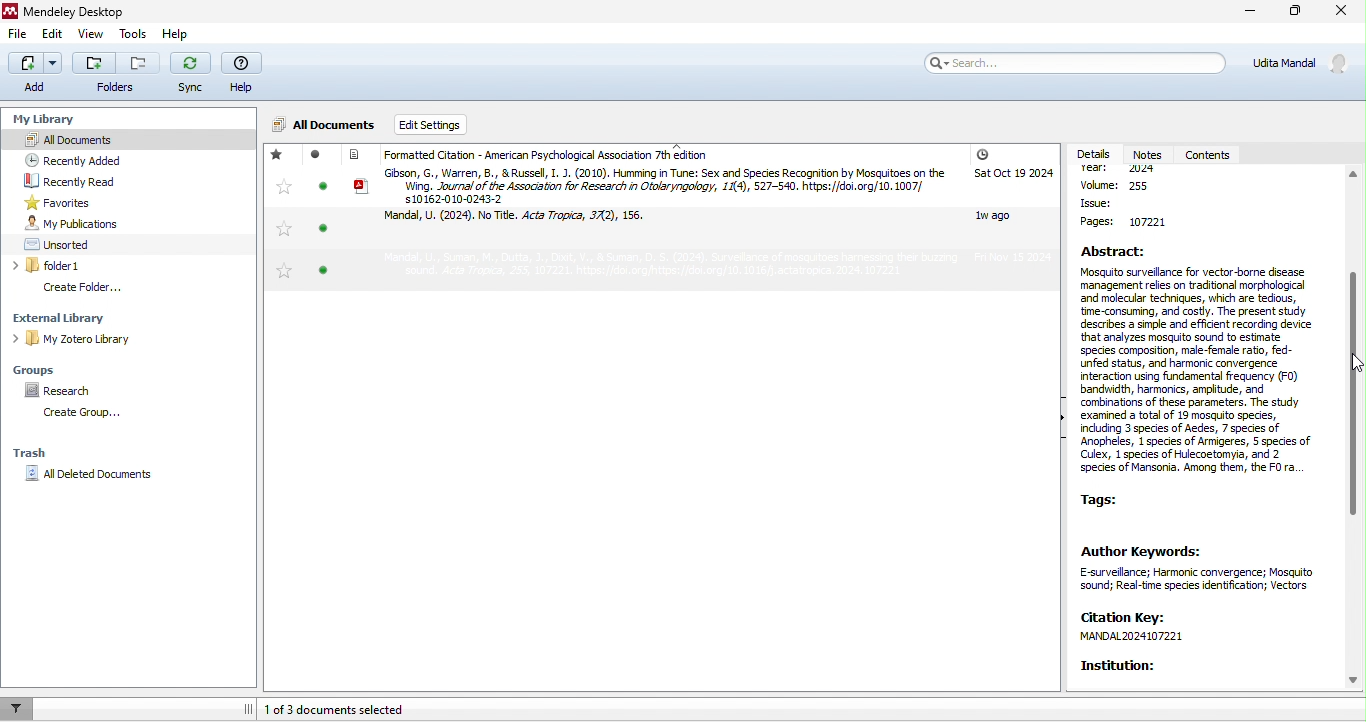 The height and width of the screenshot is (722, 1366). What do you see at coordinates (35, 72) in the screenshot?
I see `add` at bounding box center [35, 72].